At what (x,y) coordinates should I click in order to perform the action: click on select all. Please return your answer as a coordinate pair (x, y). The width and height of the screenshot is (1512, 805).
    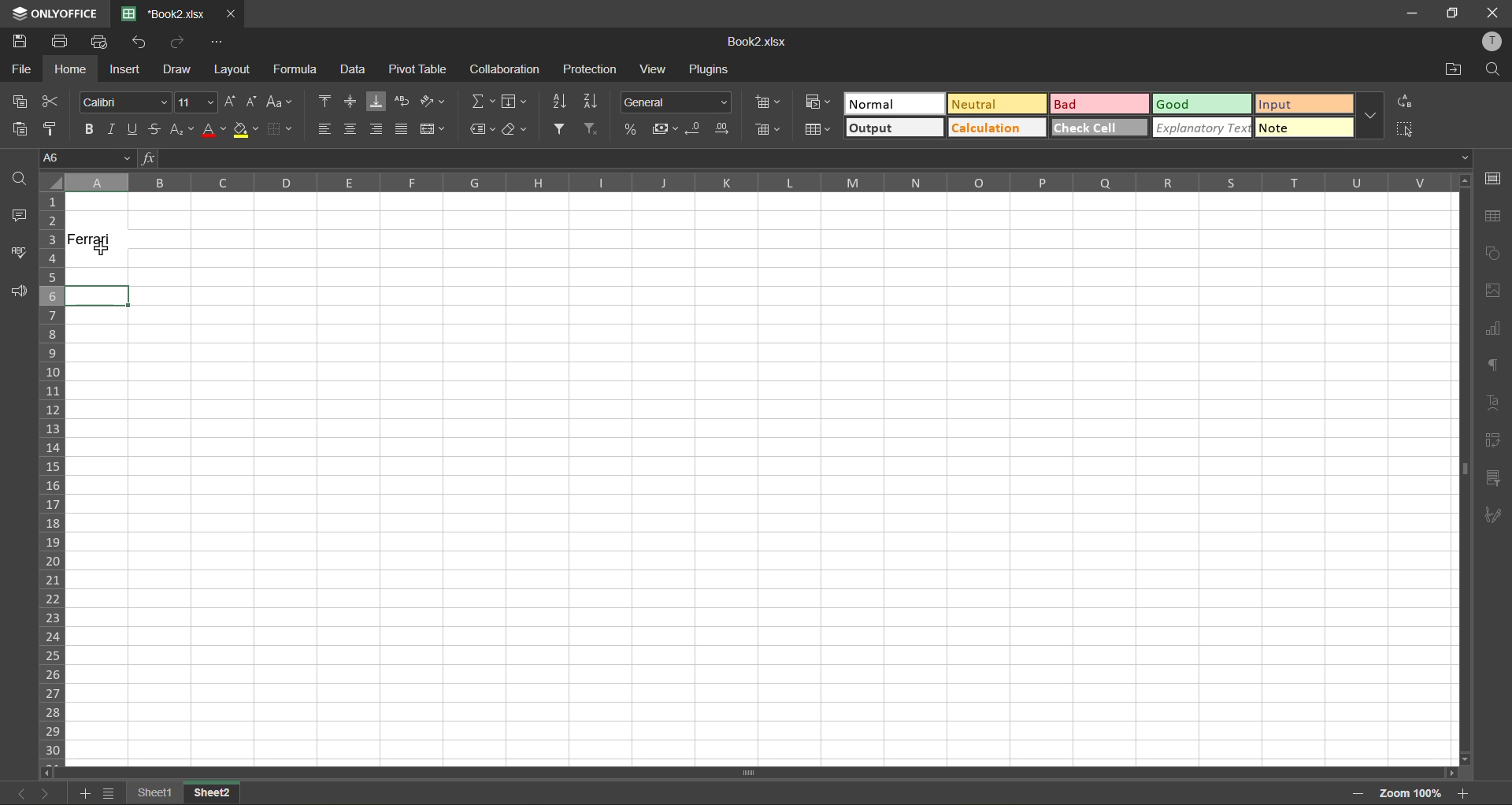
    Looking at the image, I should click on (1408, 129).